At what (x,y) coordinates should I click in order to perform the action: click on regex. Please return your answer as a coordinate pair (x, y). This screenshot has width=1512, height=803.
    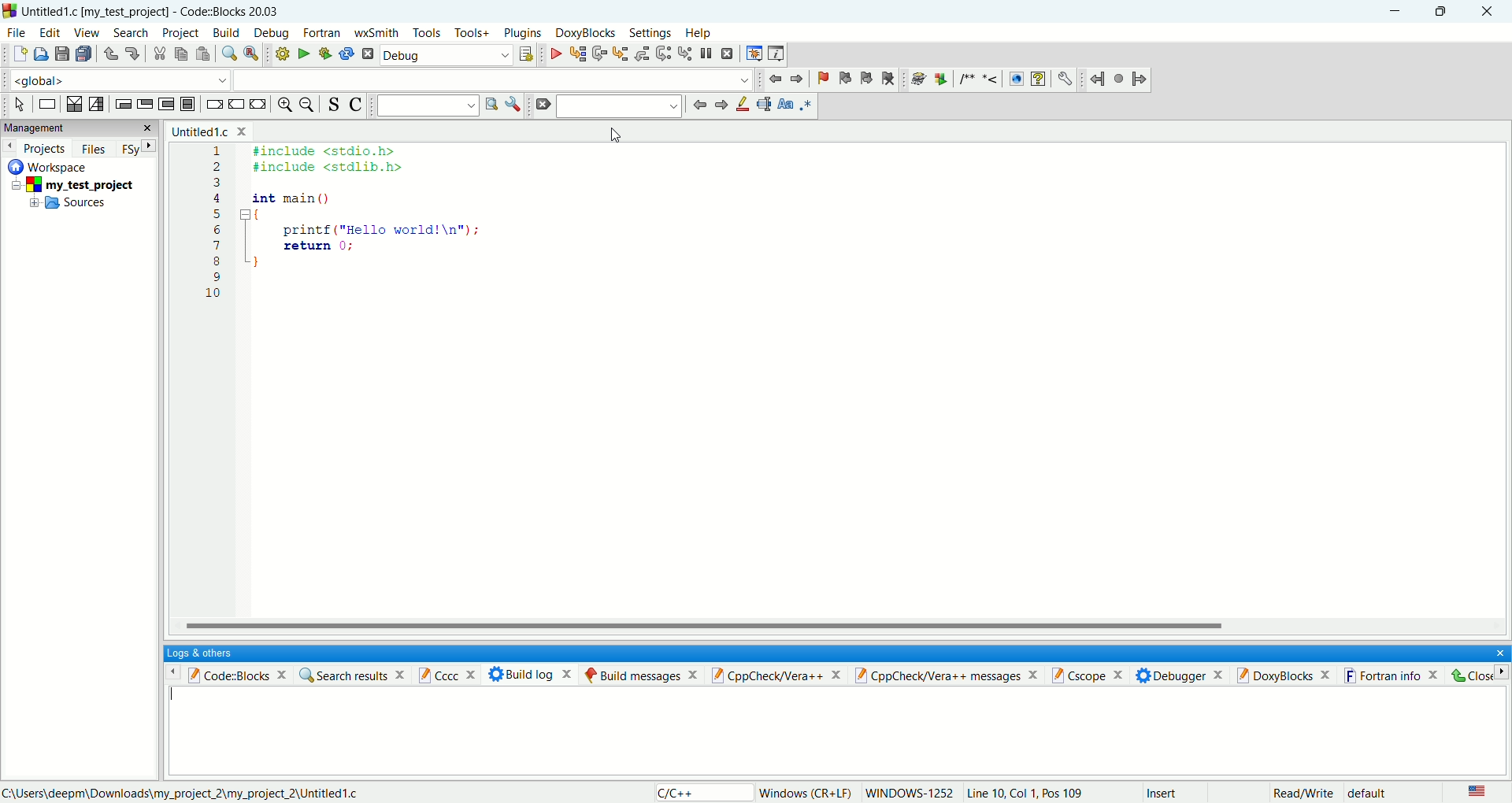
    Looking at the image, I should click on (807, 104).